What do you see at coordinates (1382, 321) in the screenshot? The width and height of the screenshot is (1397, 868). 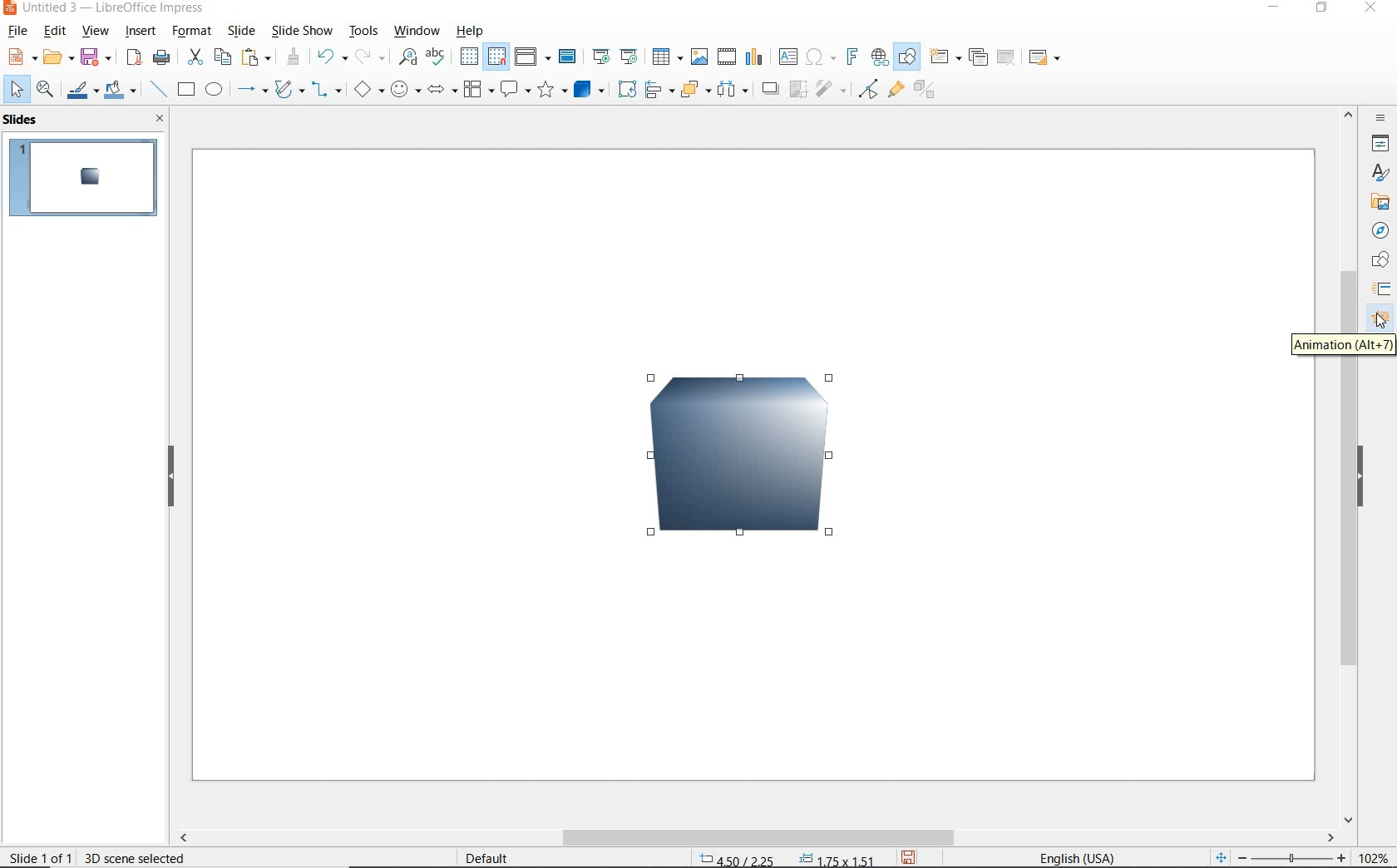 I see `ANNIMATION` at bounding box center [1382, 321].